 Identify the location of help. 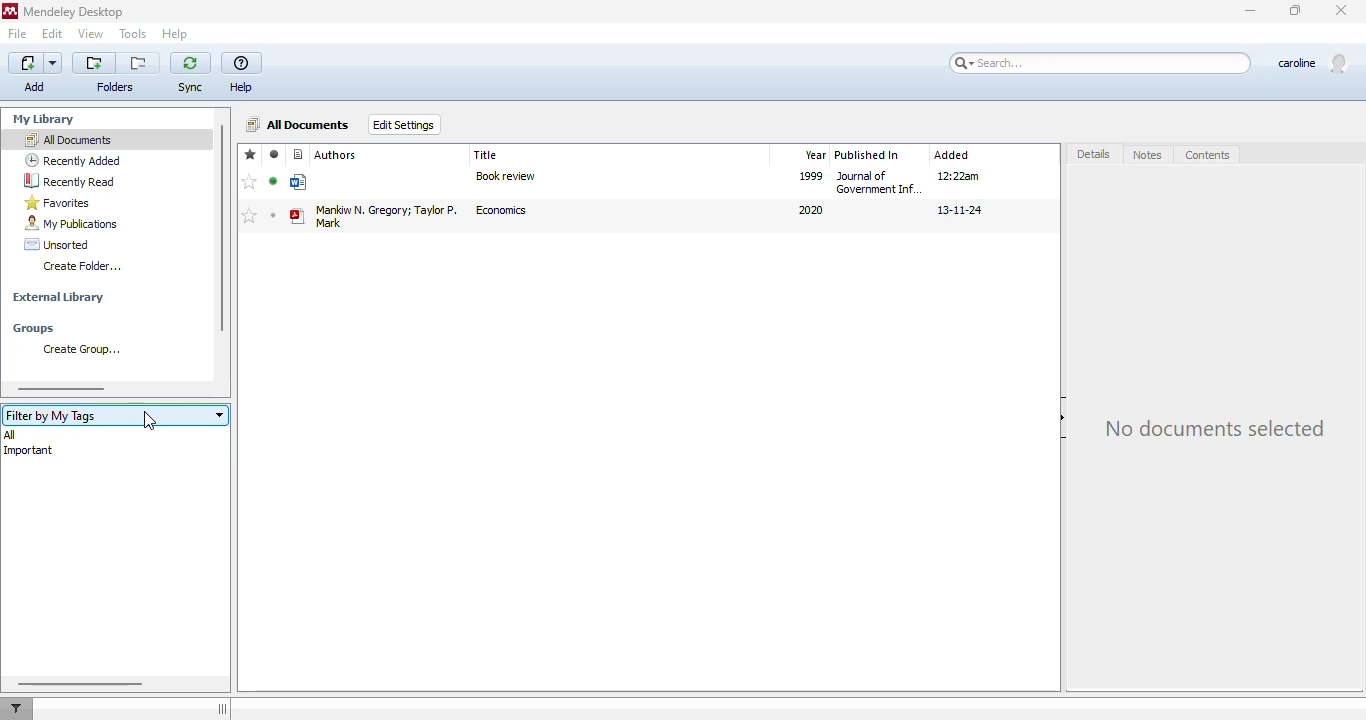
(241, 74).